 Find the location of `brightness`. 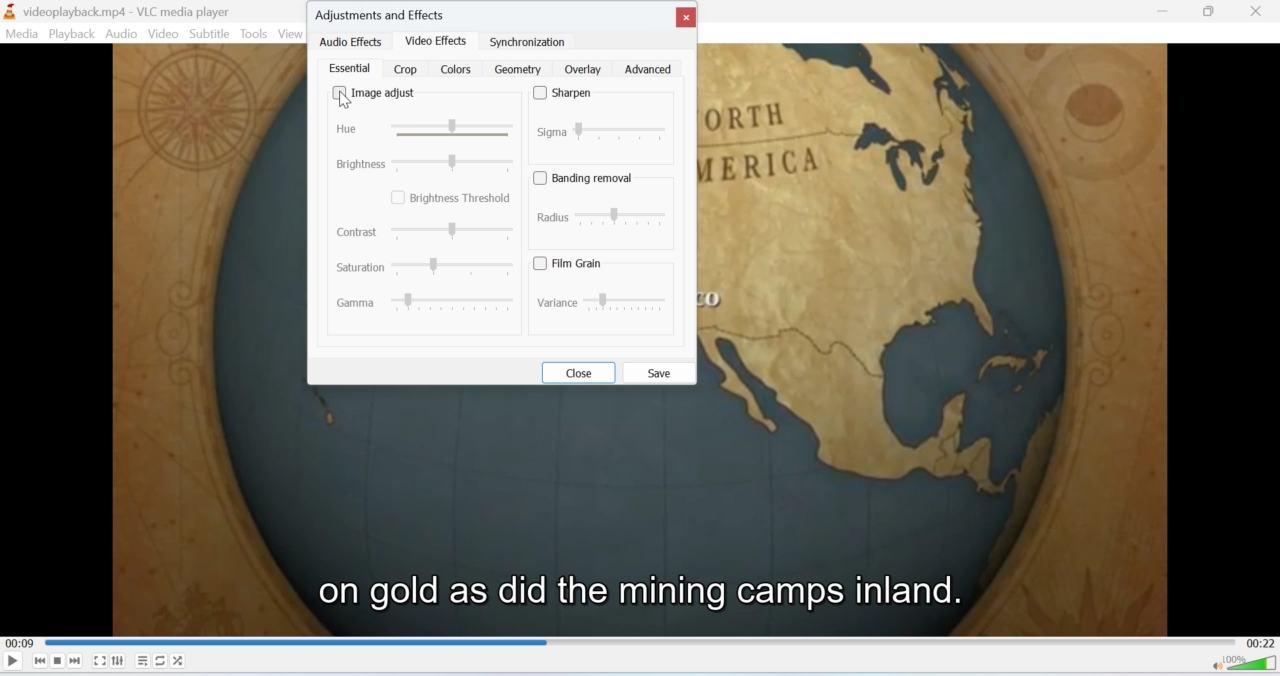

brightness is located at coordinates (419, 164).